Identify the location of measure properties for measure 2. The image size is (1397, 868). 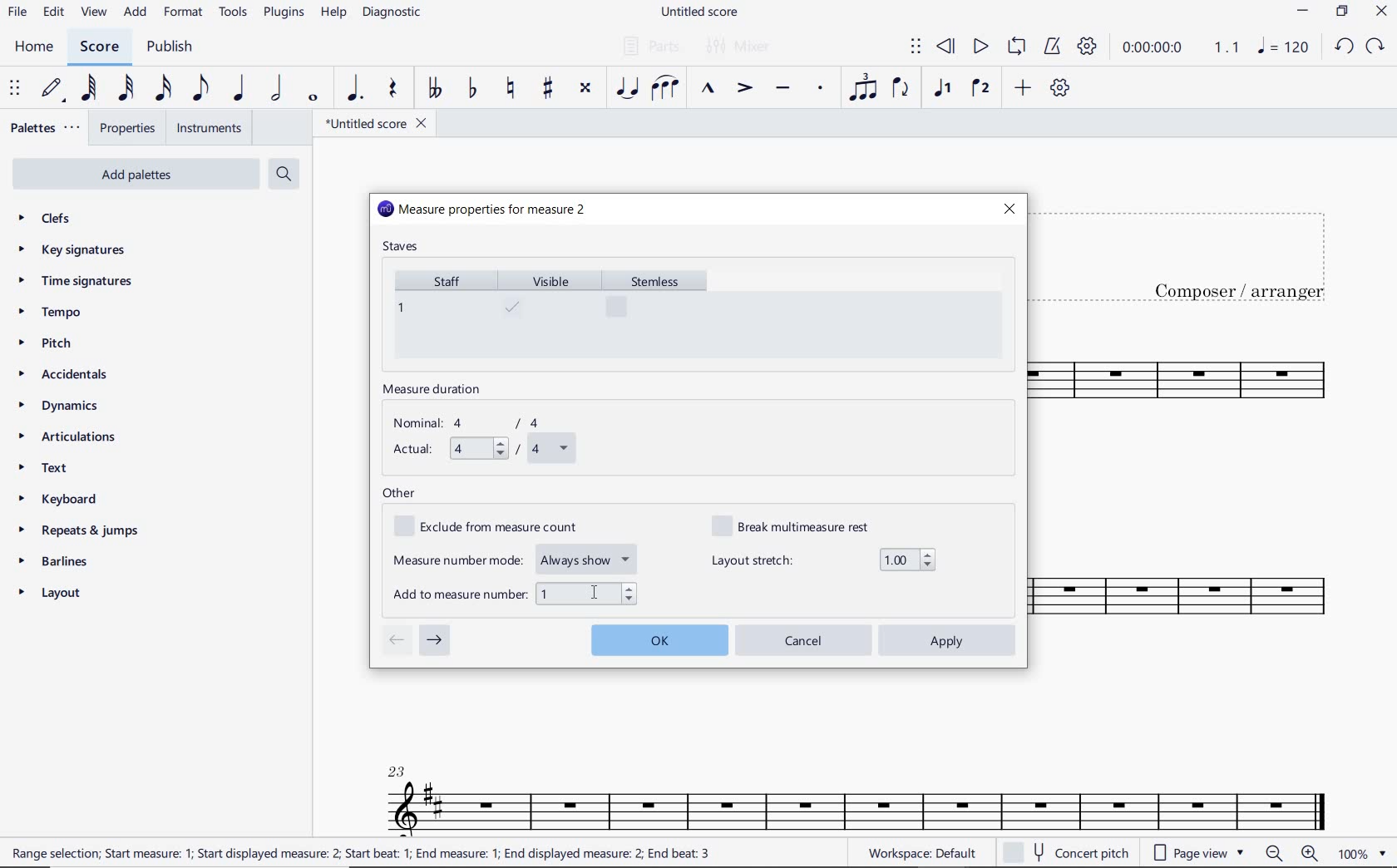
(483, 210).